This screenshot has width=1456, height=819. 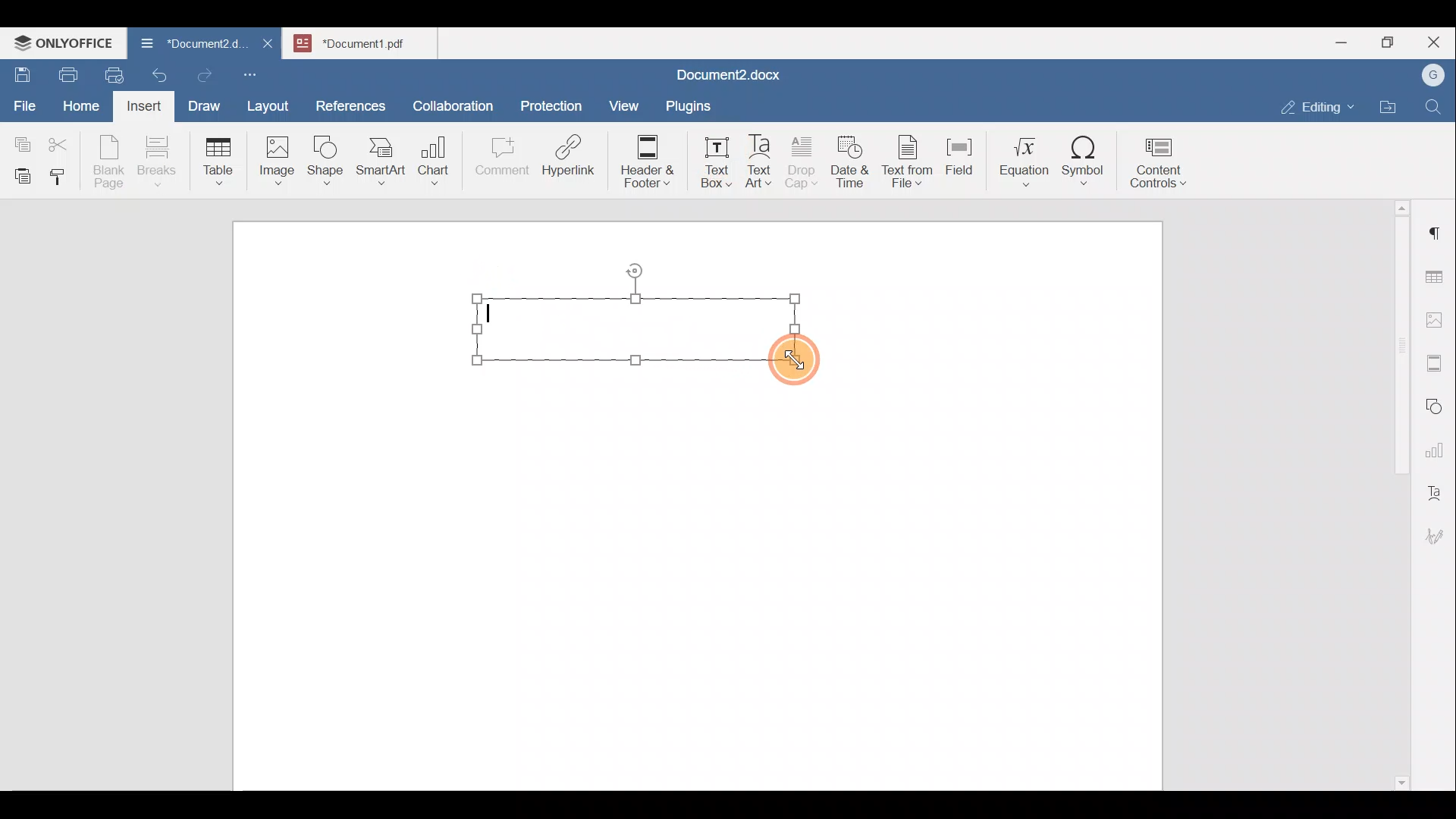 What do you see at coordinates (1341, 41) in the screenshot?
I see `Minimize` at bounding box center [1341, 41].